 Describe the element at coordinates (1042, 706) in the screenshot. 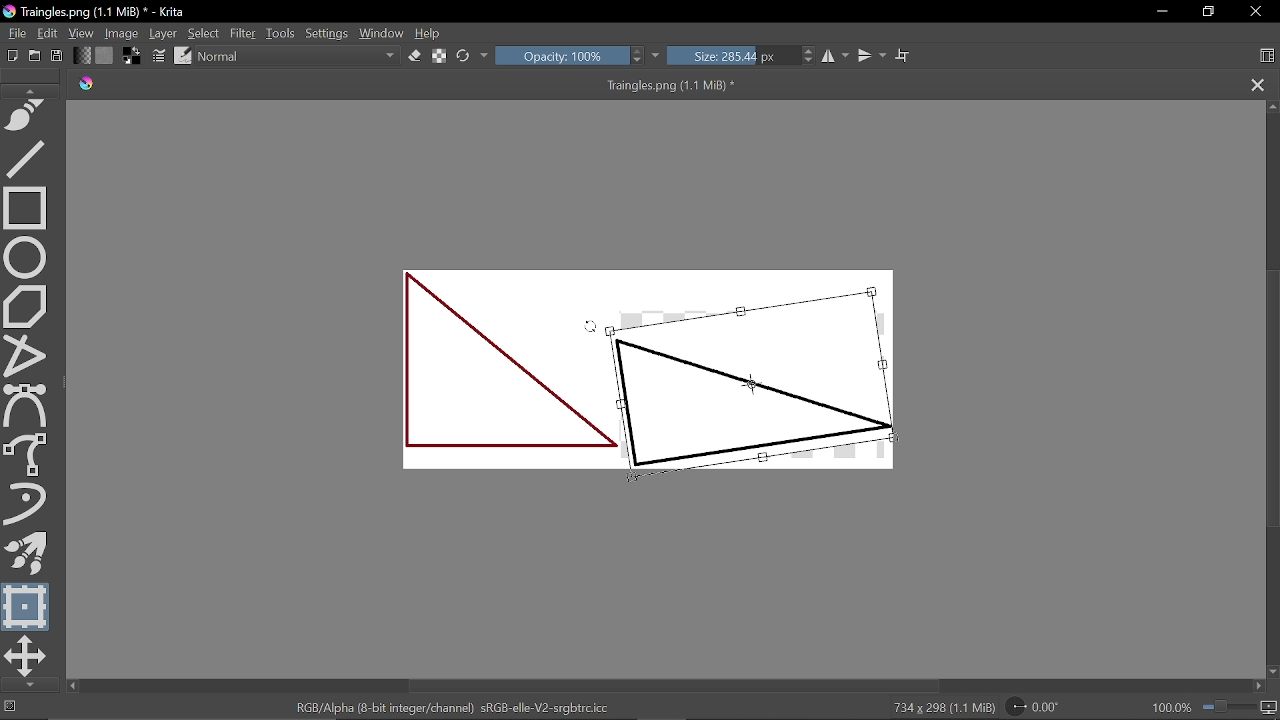

I see `Rotate` at that location.